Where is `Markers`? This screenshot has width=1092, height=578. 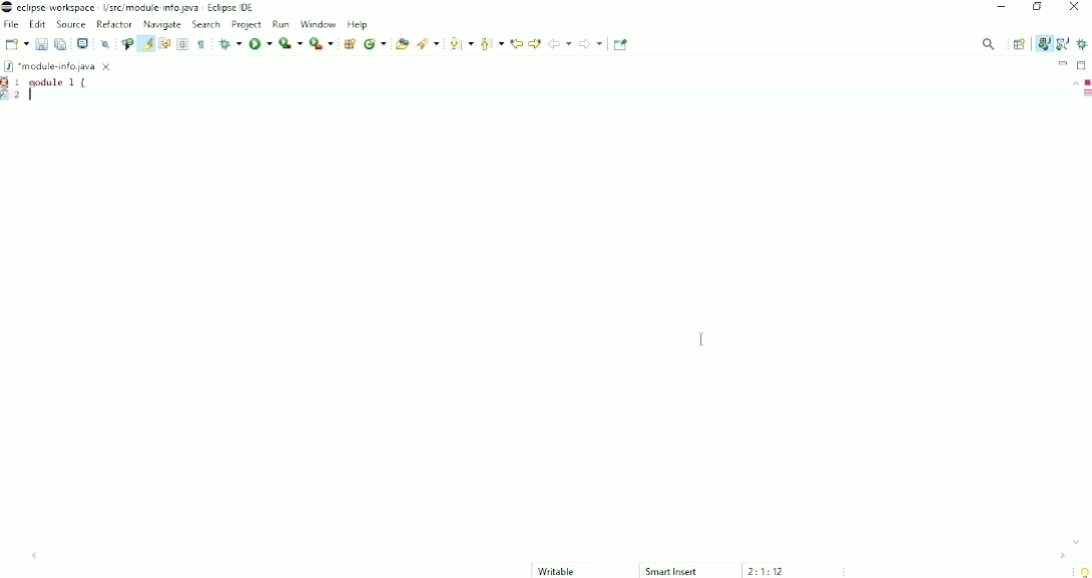
Markers is located at coordinates (1086, 94).